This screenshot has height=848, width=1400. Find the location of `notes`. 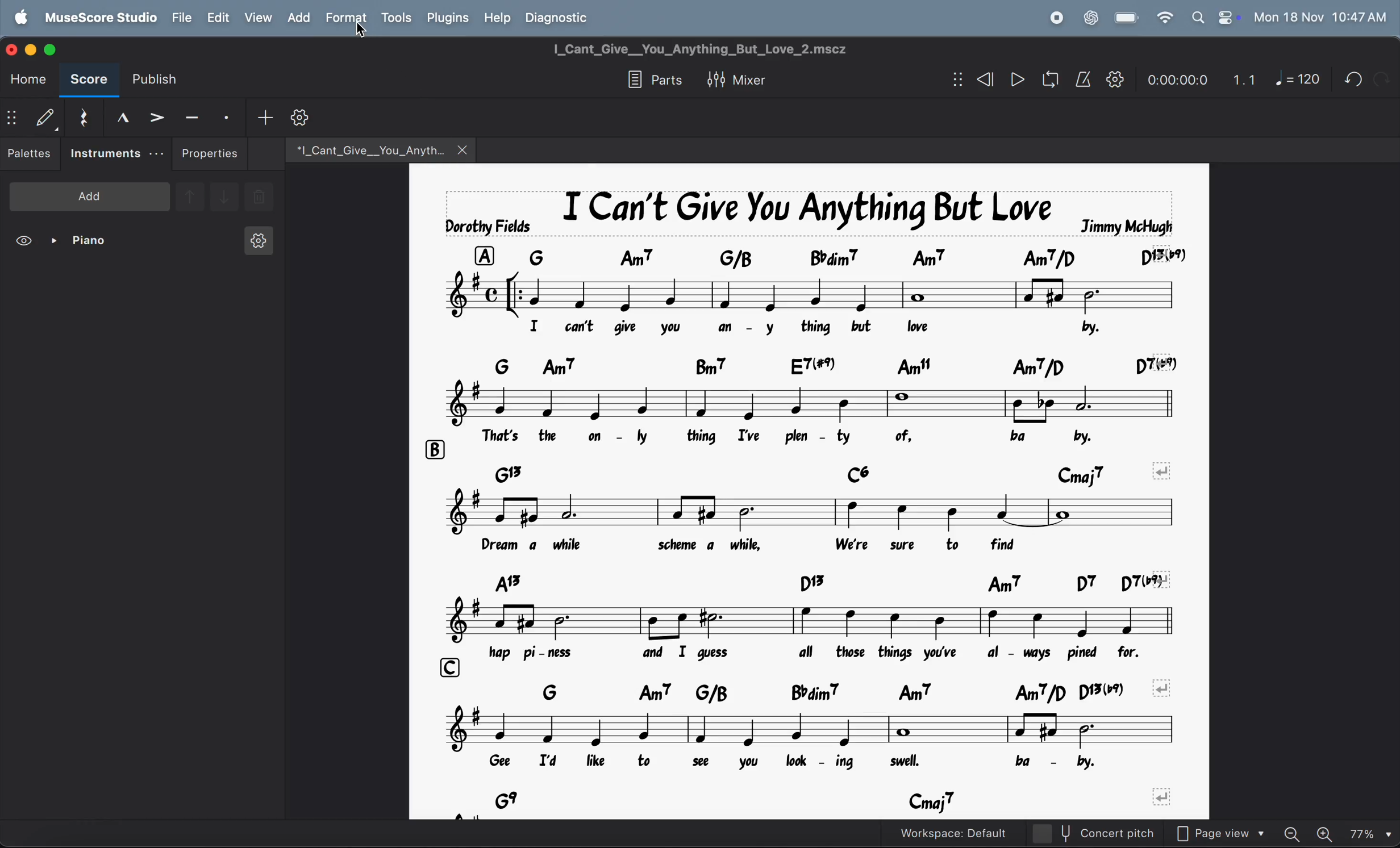

notes is located at coordinates (738, 403).